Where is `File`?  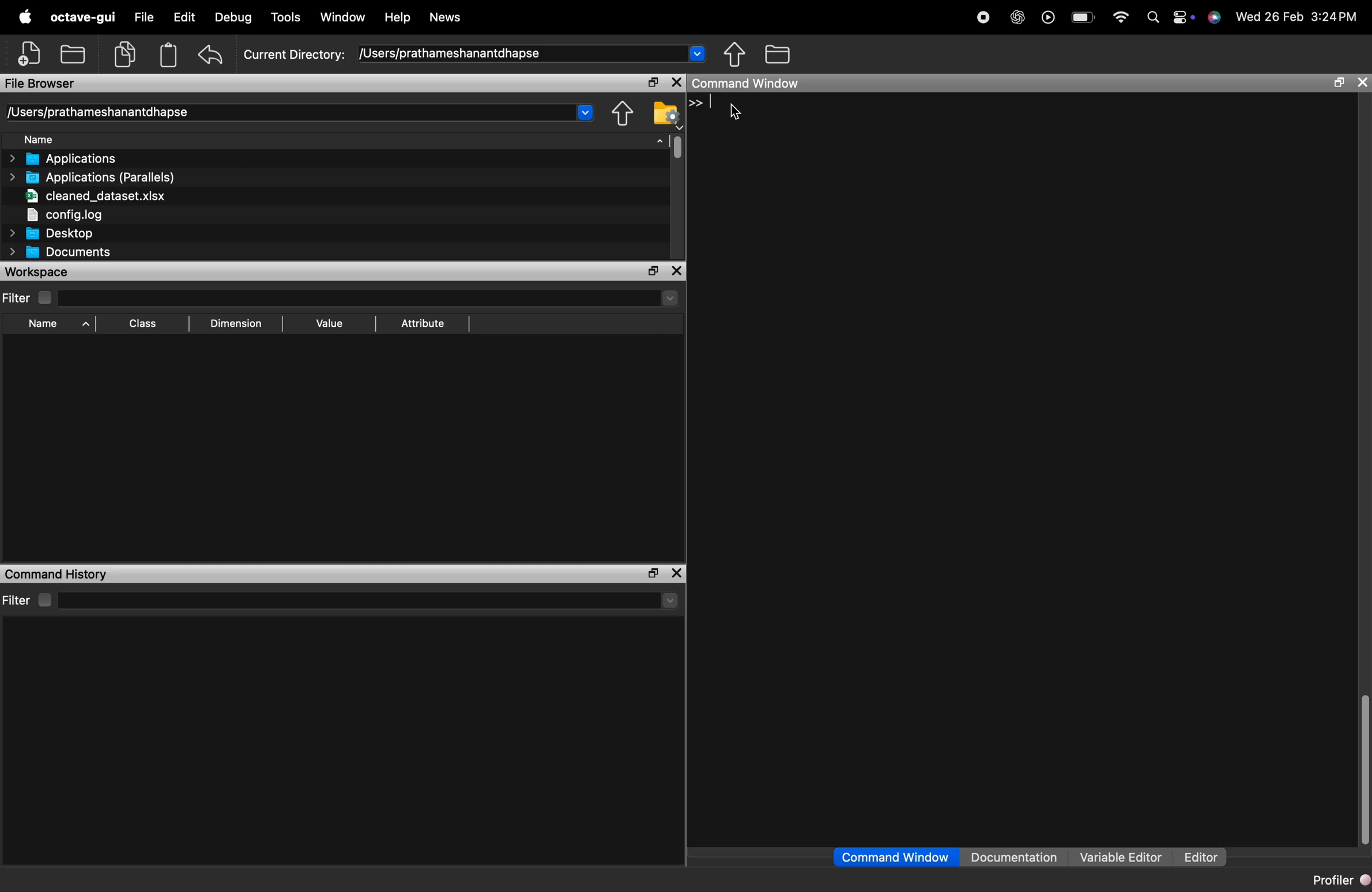
File is located at coordinates (144, 19).